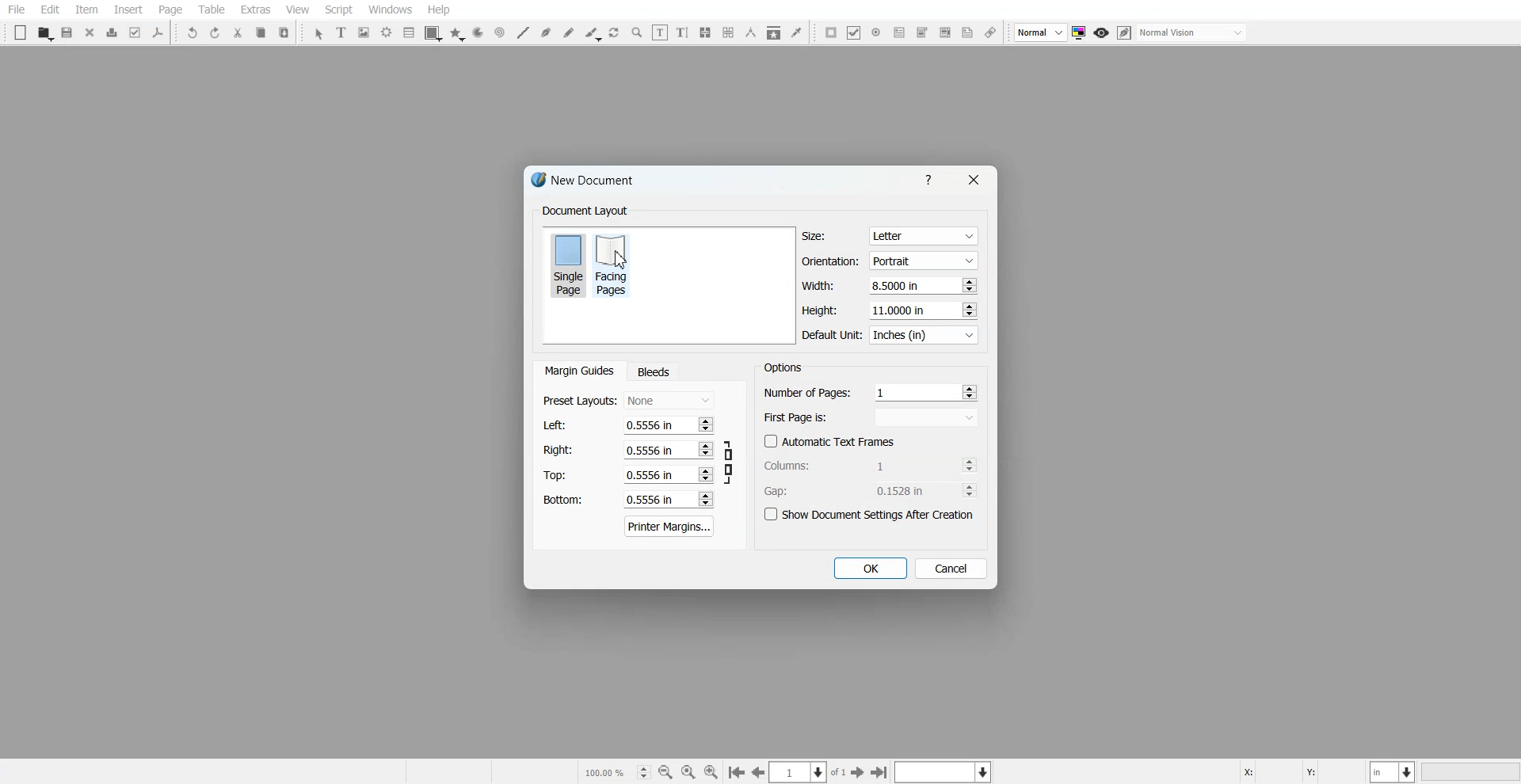  I want to click on Undo, so click(193, 32).